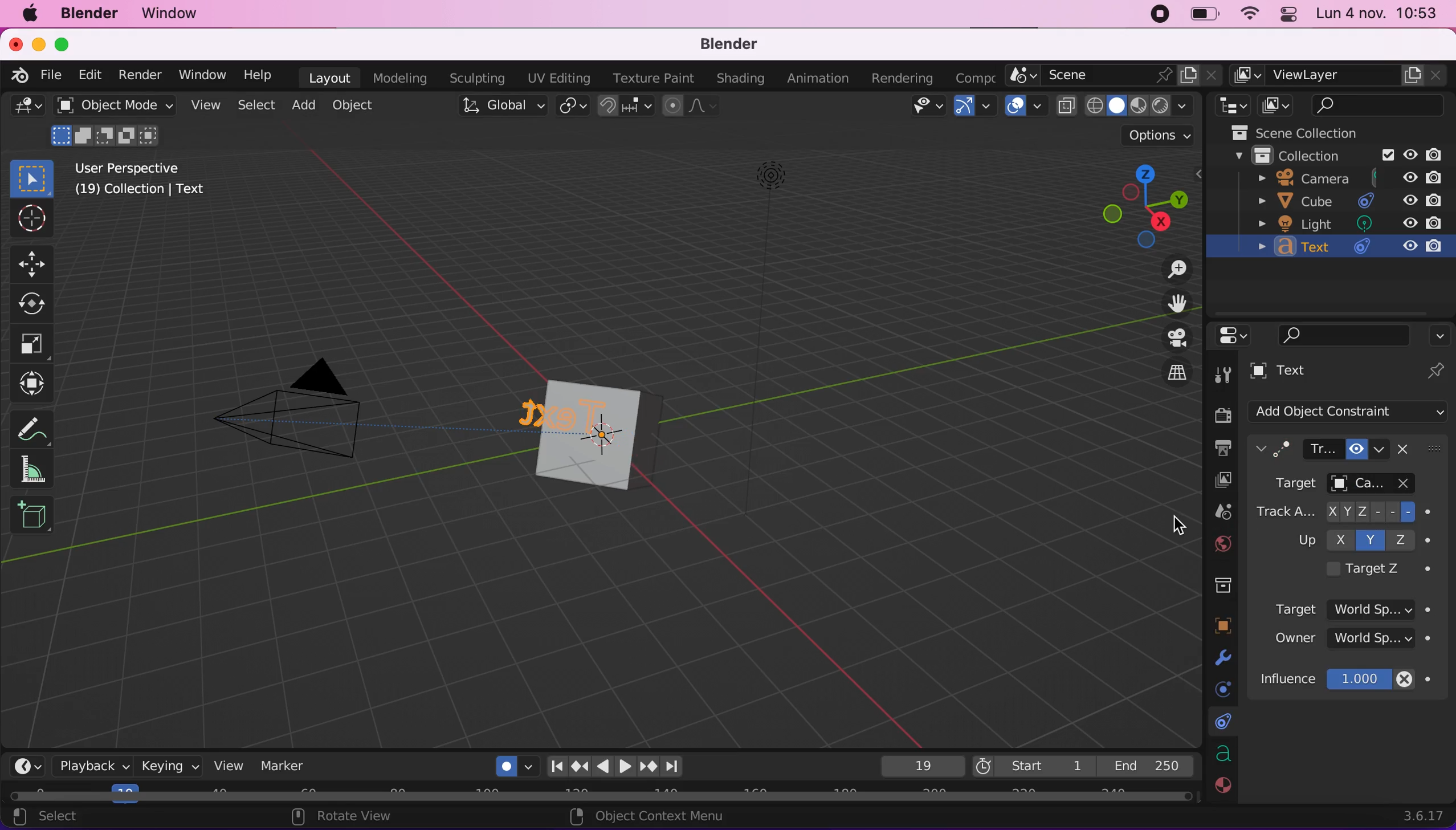 Image resolution: width=1456 pixels, height=830 pixels. I want to click on final frame, so click(1147, 765).